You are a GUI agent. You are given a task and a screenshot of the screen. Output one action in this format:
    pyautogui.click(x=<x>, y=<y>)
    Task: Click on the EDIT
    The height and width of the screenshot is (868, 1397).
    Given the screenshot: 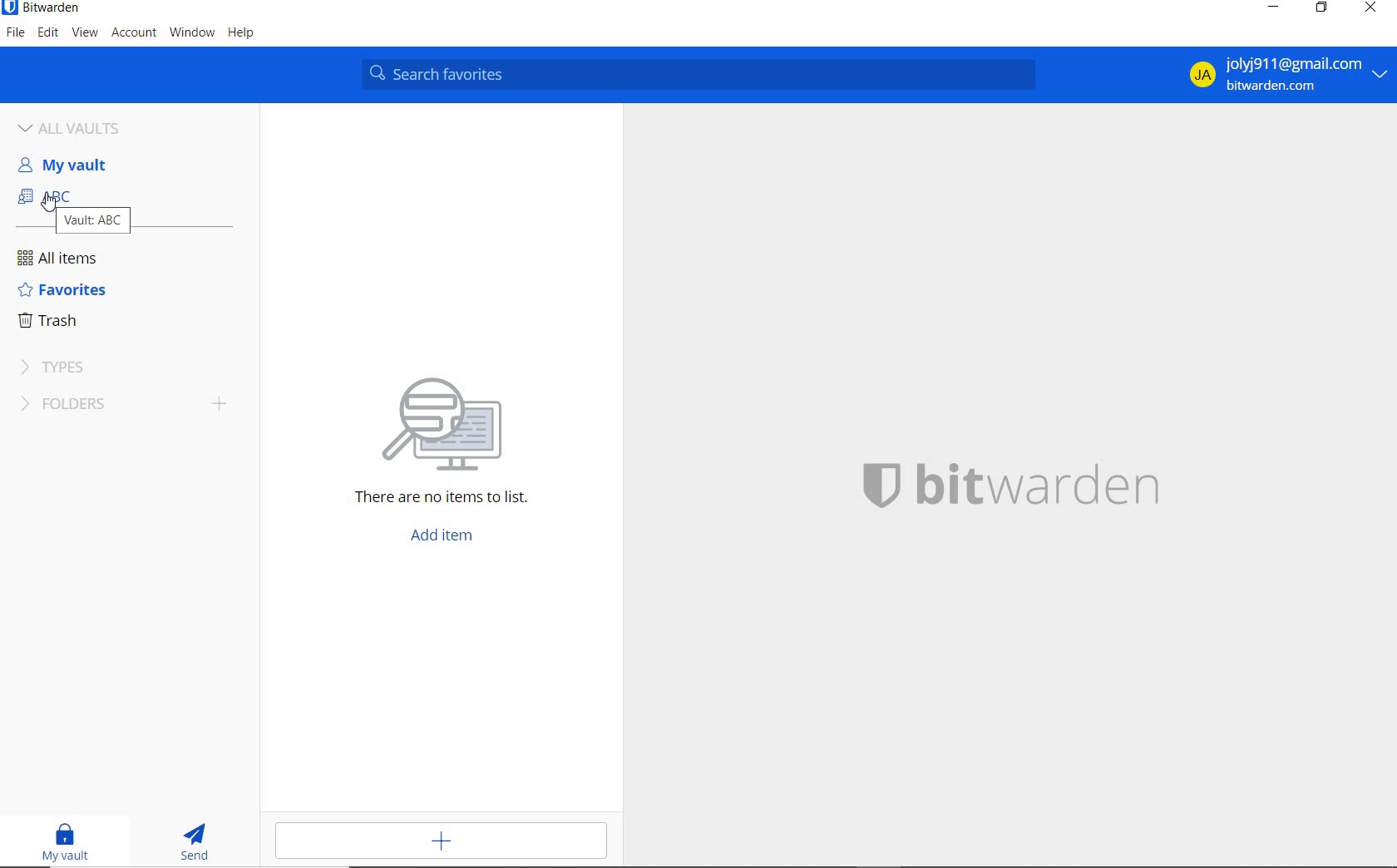 What is the action you would take?
    pyautogui.click(x=49, y=34)
    